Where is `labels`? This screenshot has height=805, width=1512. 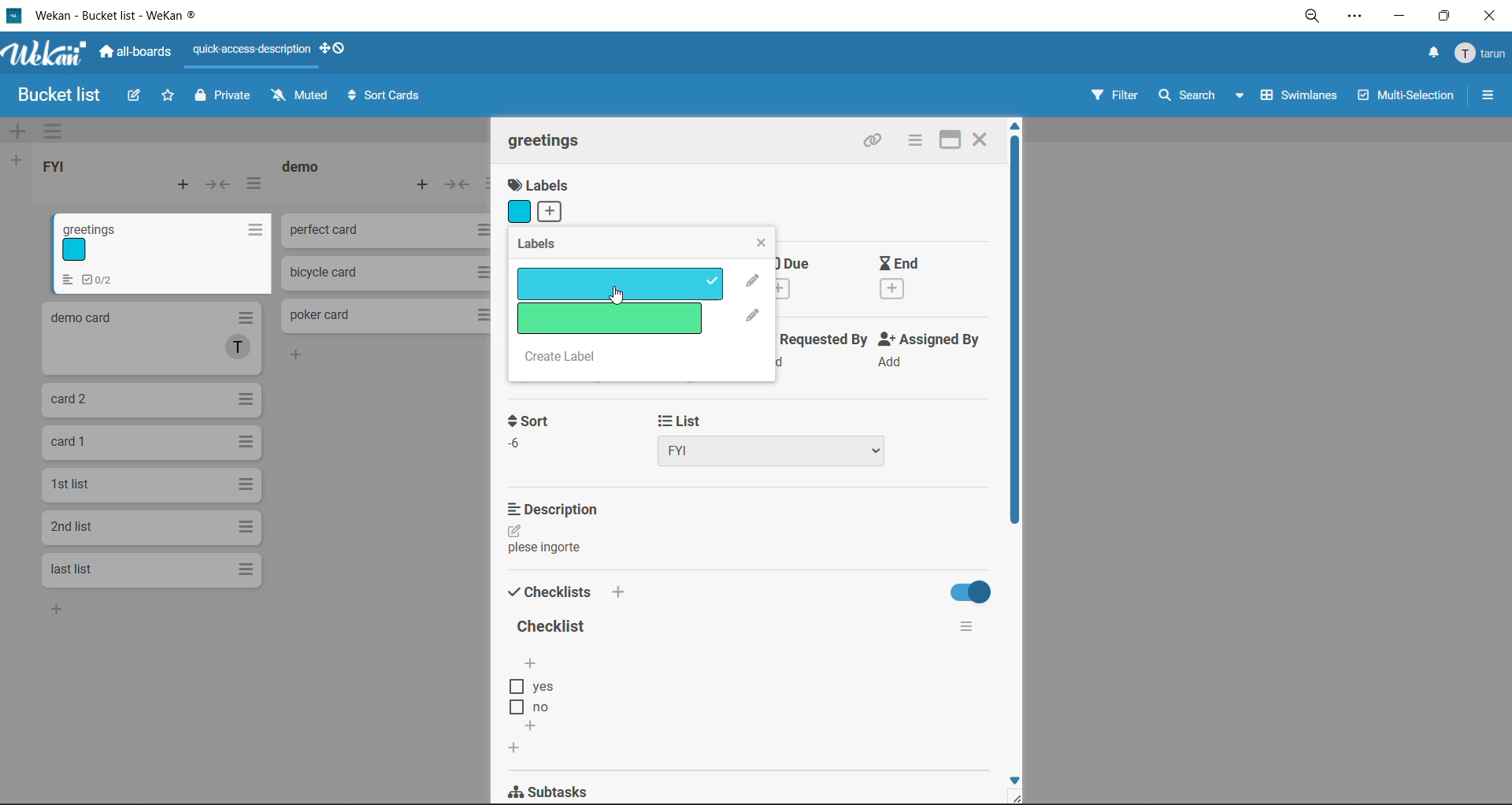
labels is located at coordinates (553, 247).